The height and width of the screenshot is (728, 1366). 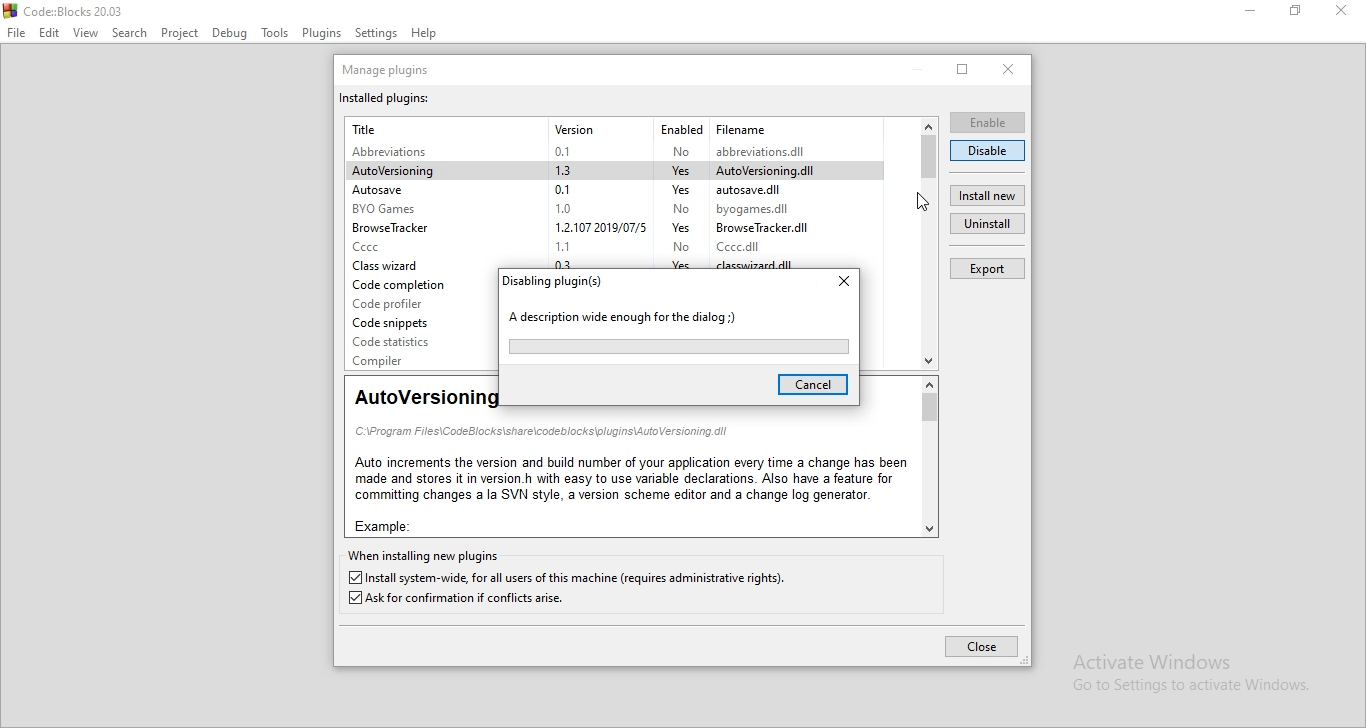 What do you see at coordinates (929, 124) in the screenshot?
I see `scroll up` at bounding box center [929, 124].